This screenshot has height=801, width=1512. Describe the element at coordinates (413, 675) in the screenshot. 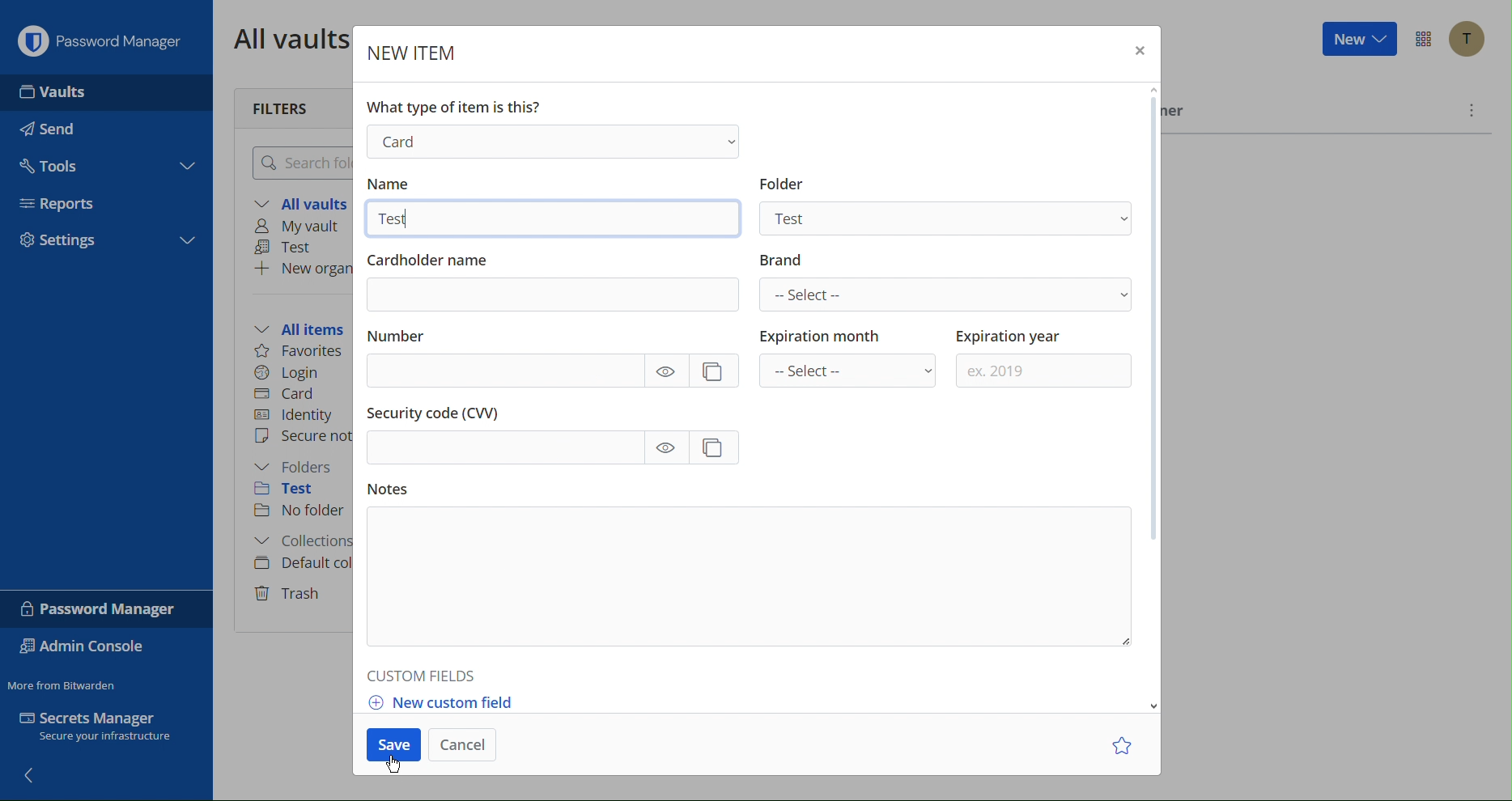

I see `Custom Fields` at that location.